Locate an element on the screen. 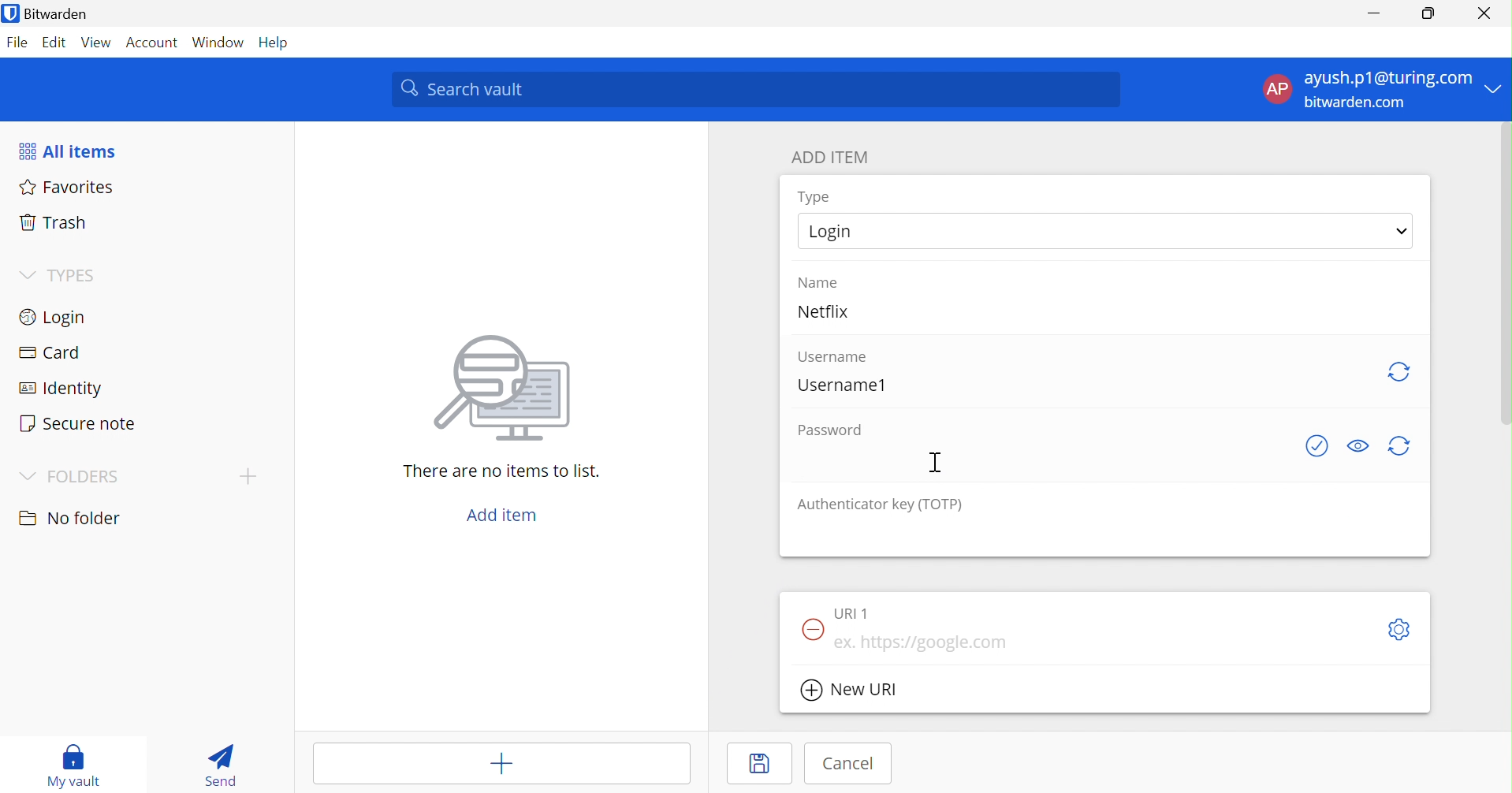  Login is located at coordinates (56, 316).